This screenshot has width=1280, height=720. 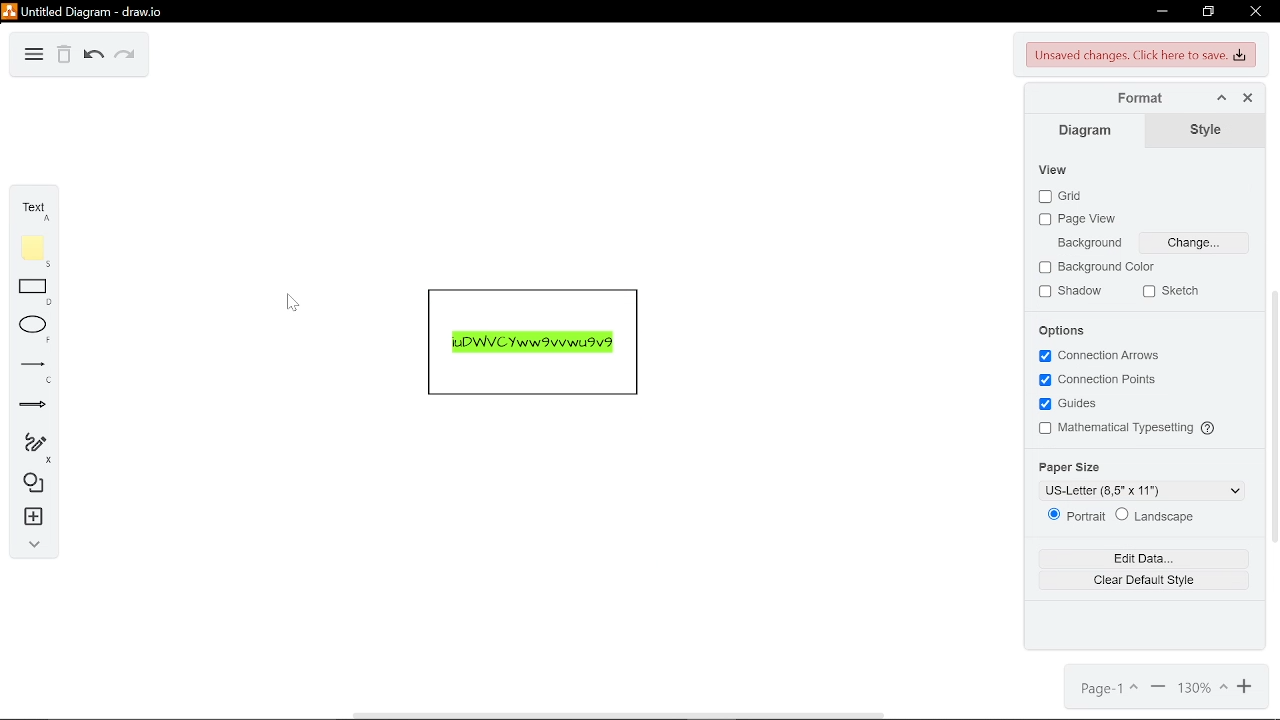 I want to click on sketch, so click(x=1174, y=292).